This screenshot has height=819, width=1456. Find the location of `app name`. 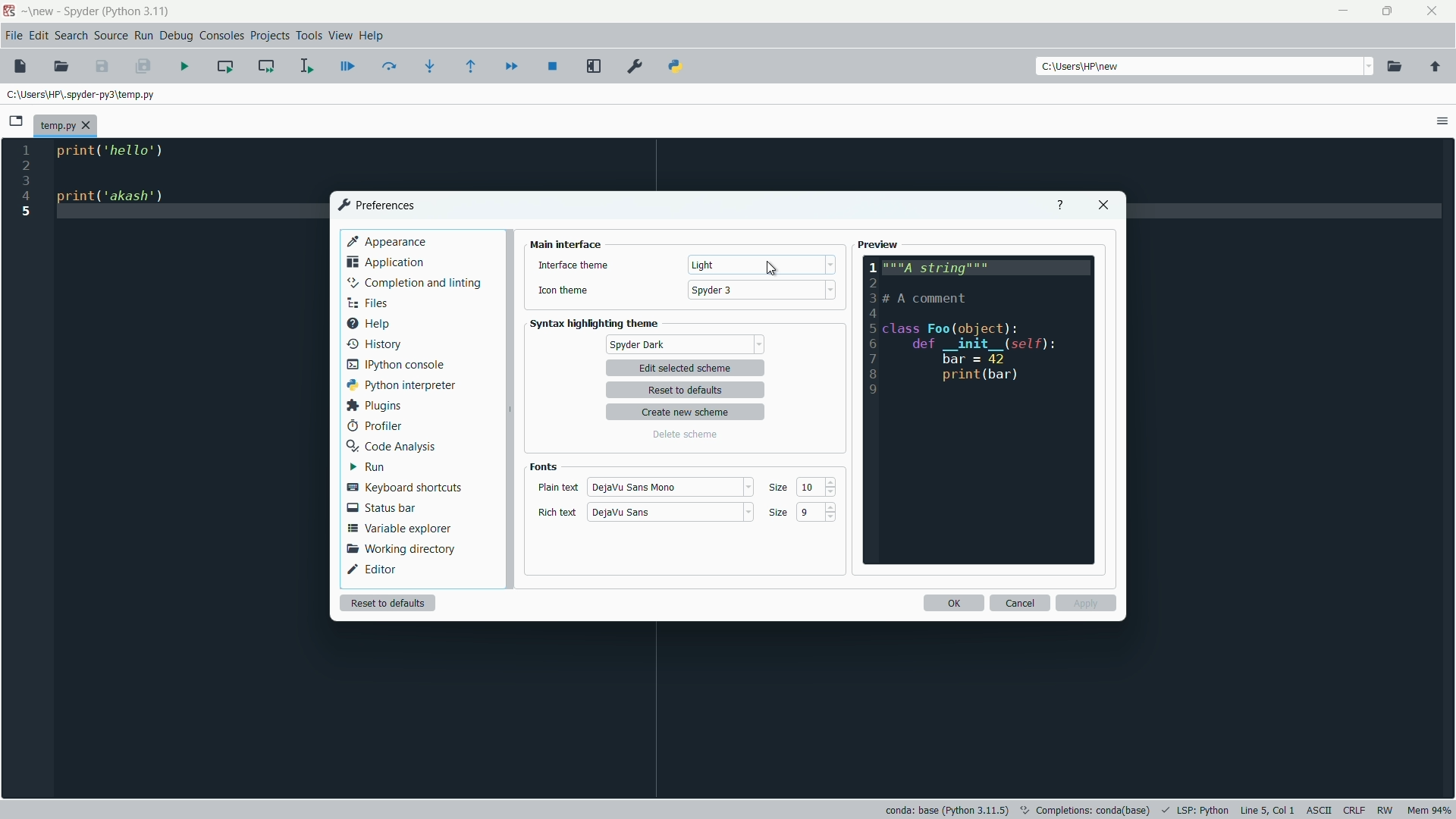

app name is located at coordinates (79, 11).